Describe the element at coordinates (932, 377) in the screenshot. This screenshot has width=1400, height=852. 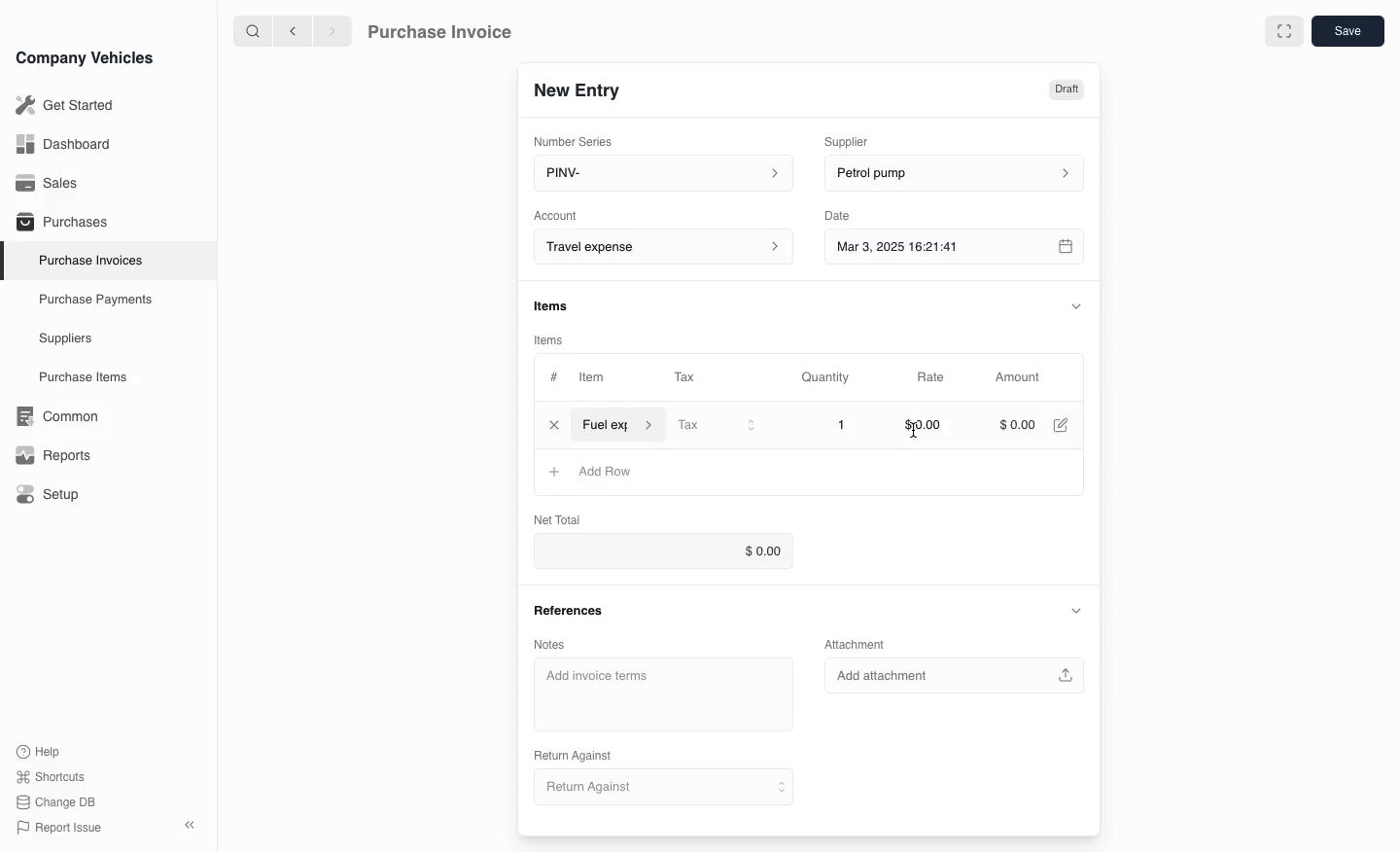
I see `Rate` at that location.